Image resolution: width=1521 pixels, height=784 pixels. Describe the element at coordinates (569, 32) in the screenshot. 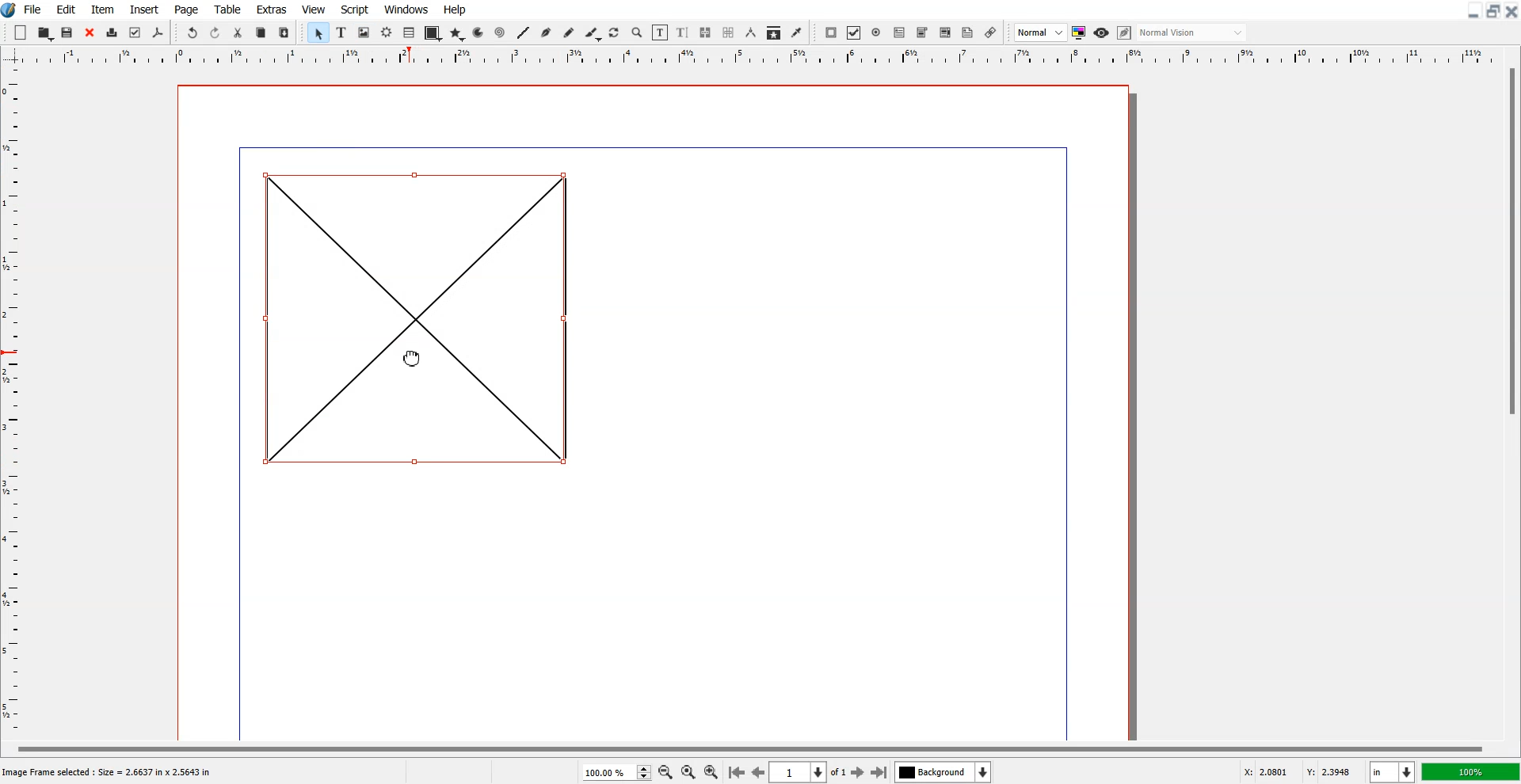

I see `Freehand Line` at that location.